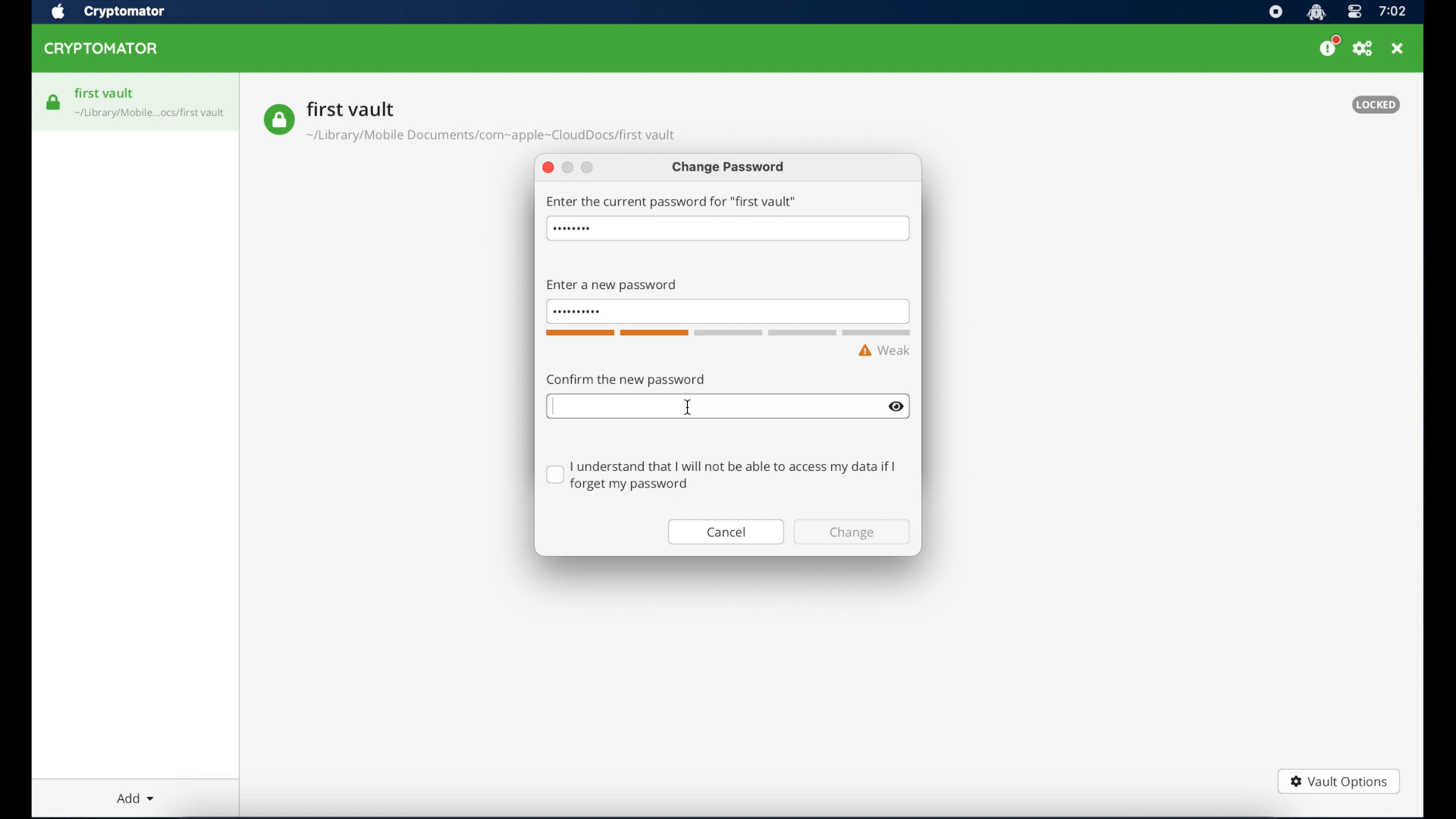 This screenshot has height=819, width=1456. I want to click on word count, so click(727, 334).